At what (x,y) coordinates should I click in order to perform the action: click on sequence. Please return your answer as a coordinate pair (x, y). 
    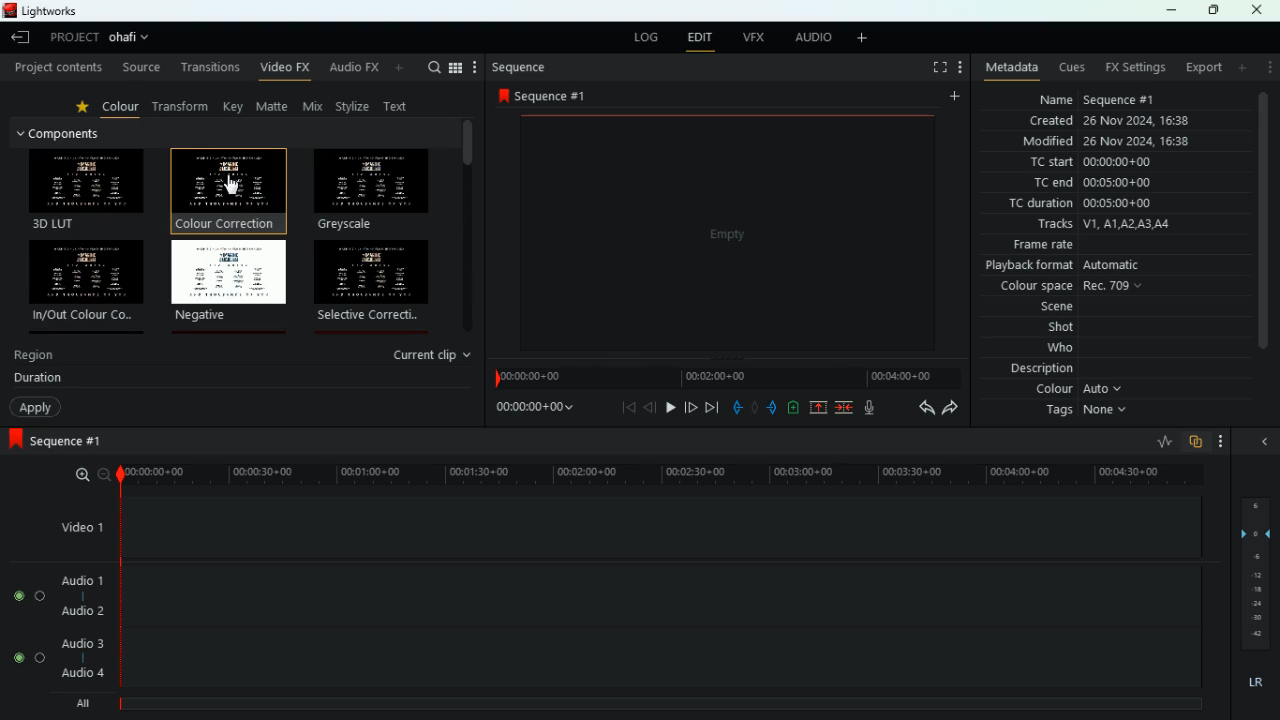
    Looking at the image, I should click on (520, 68).